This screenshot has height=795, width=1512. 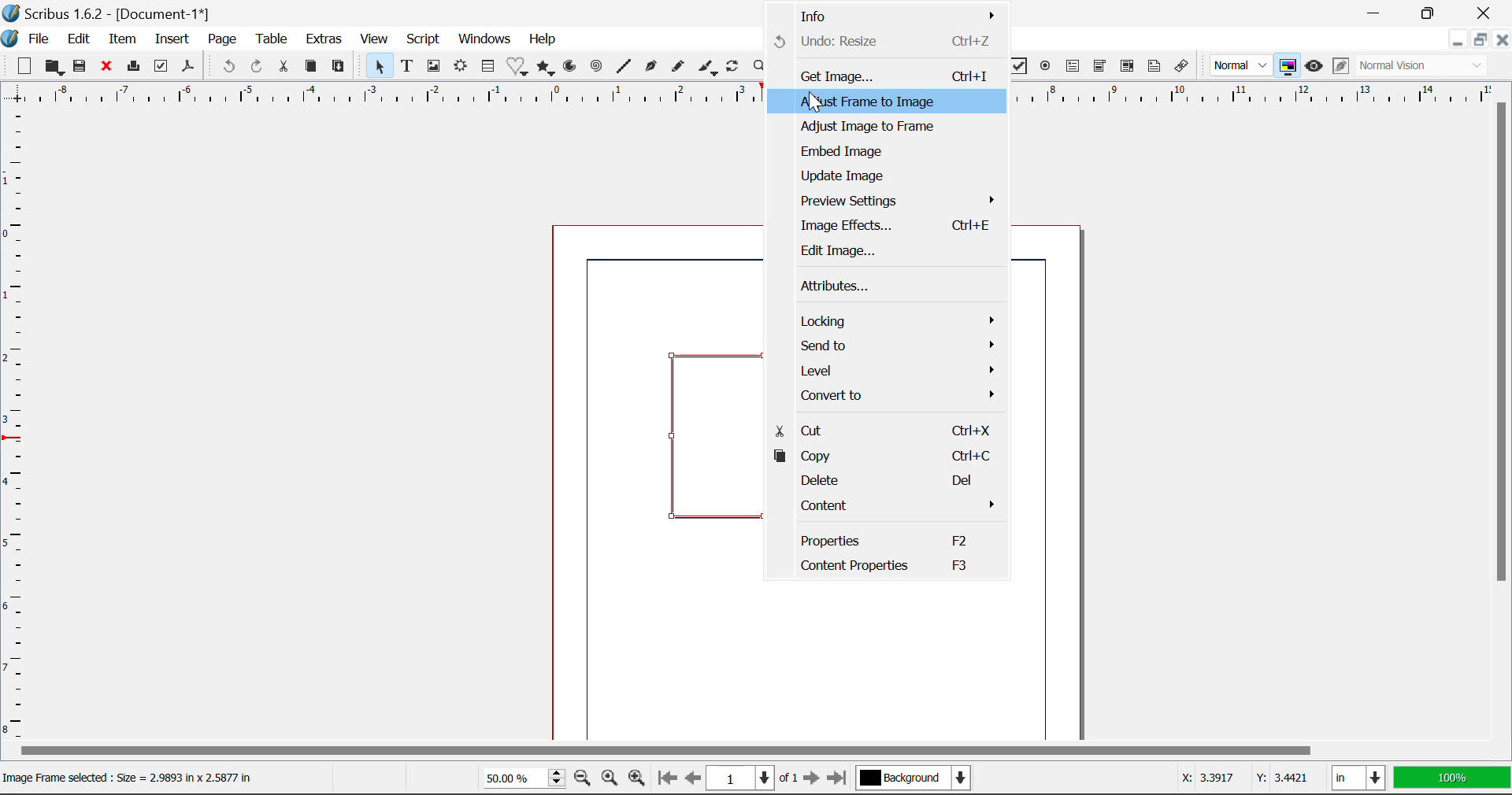 What do you see at coordinates (710, 68) in the screenshot?
I see `Calligraphic Line` at bounding box center [710, 68].